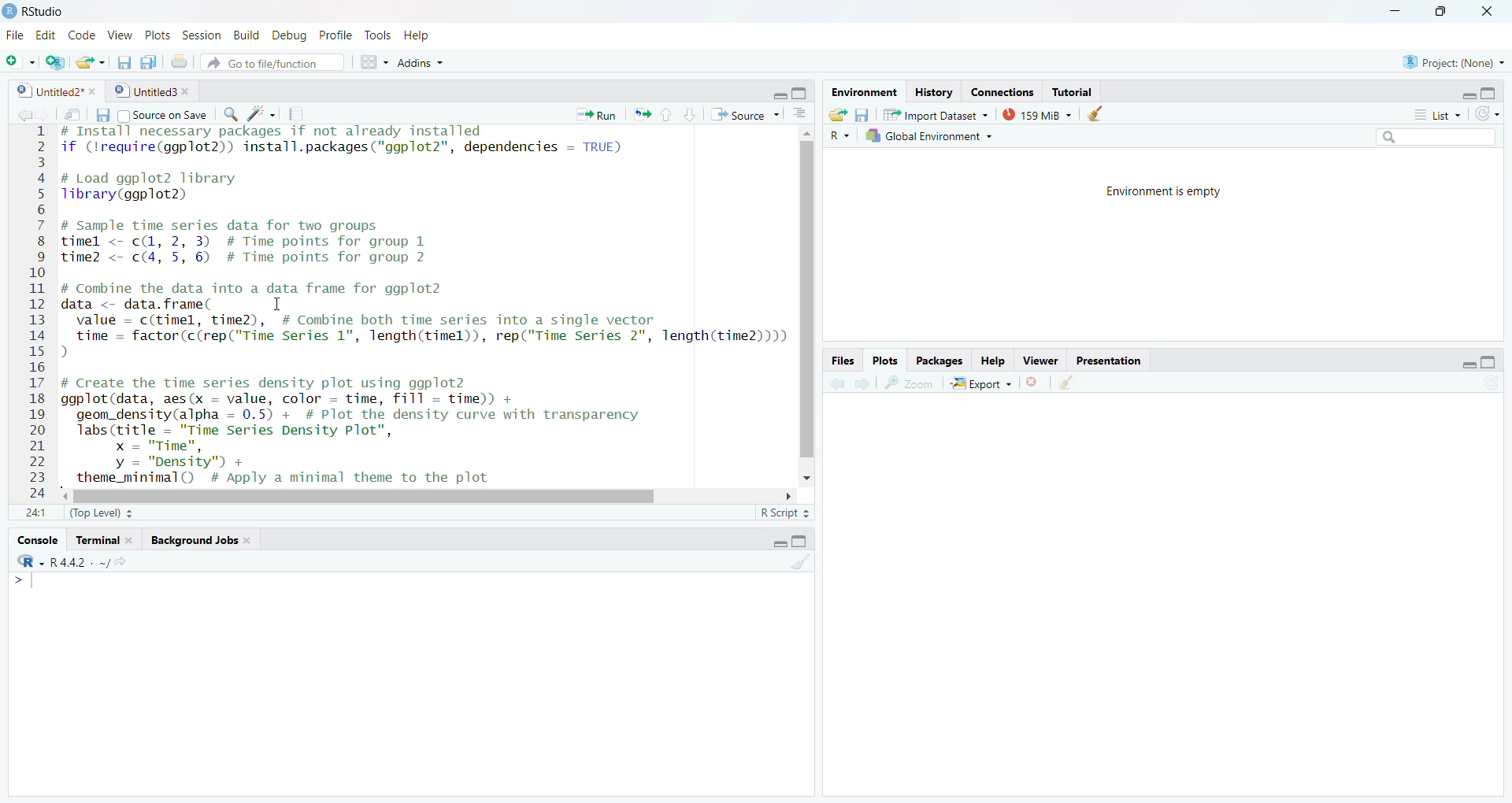 This screenshot has height=803, width=1512. I want to click on Save, so click(102, 114).